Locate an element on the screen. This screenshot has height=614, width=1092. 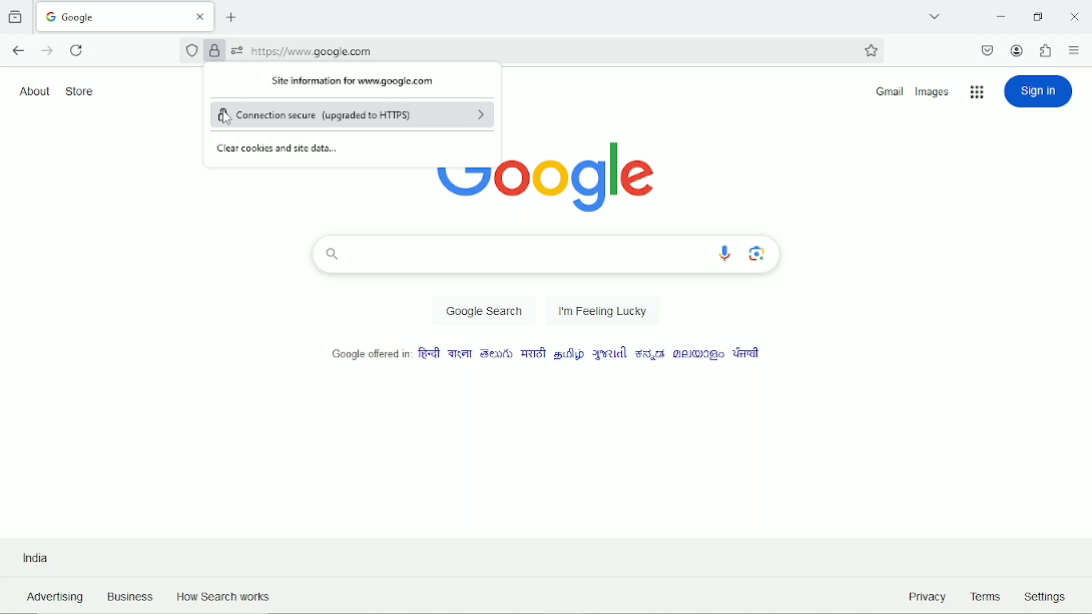
Account is located at coordinates (1017, 50).